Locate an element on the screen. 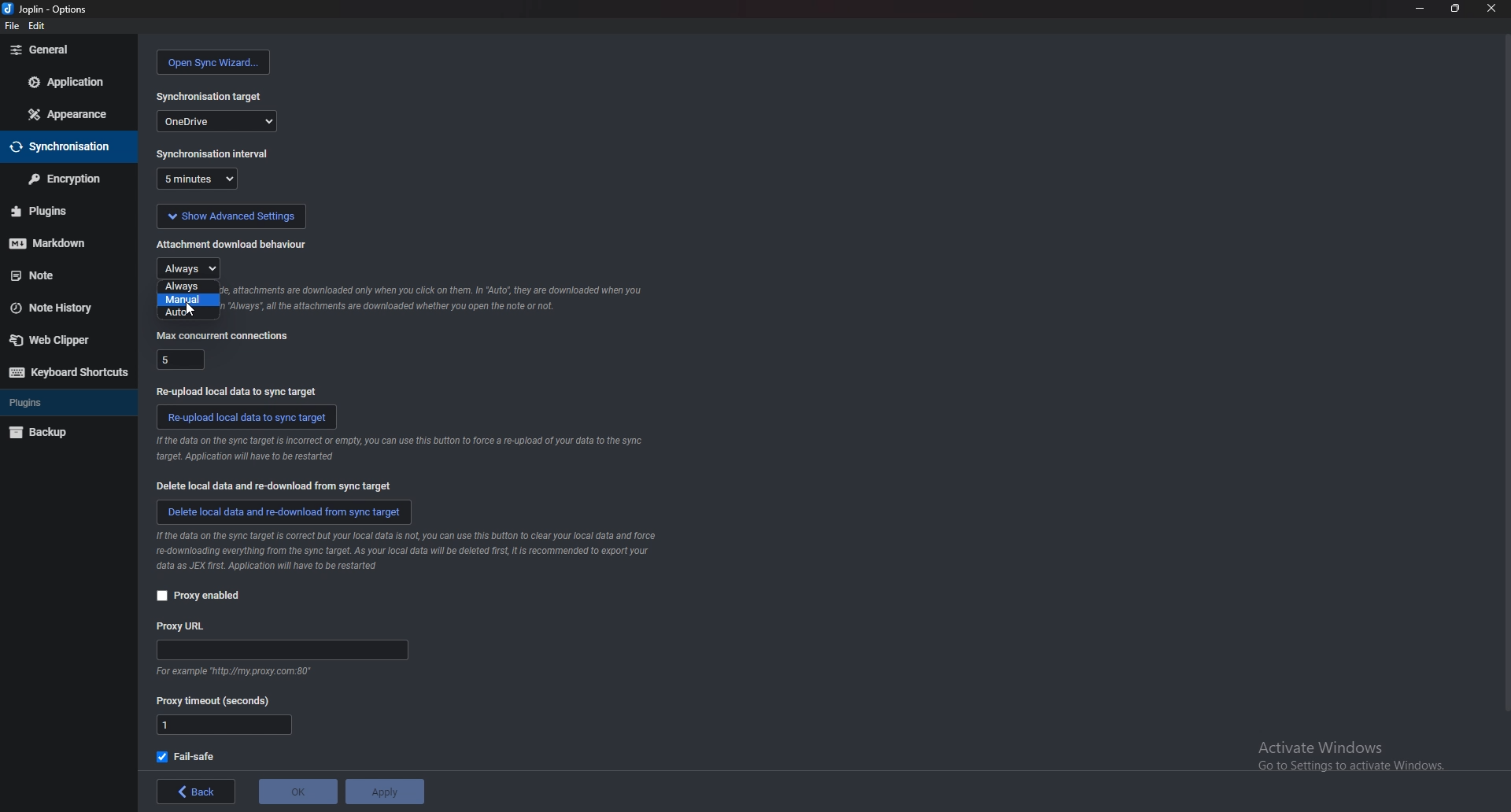 The width and height of the screenshot is (1511, 812). backup is located at coordinates (46, 434).